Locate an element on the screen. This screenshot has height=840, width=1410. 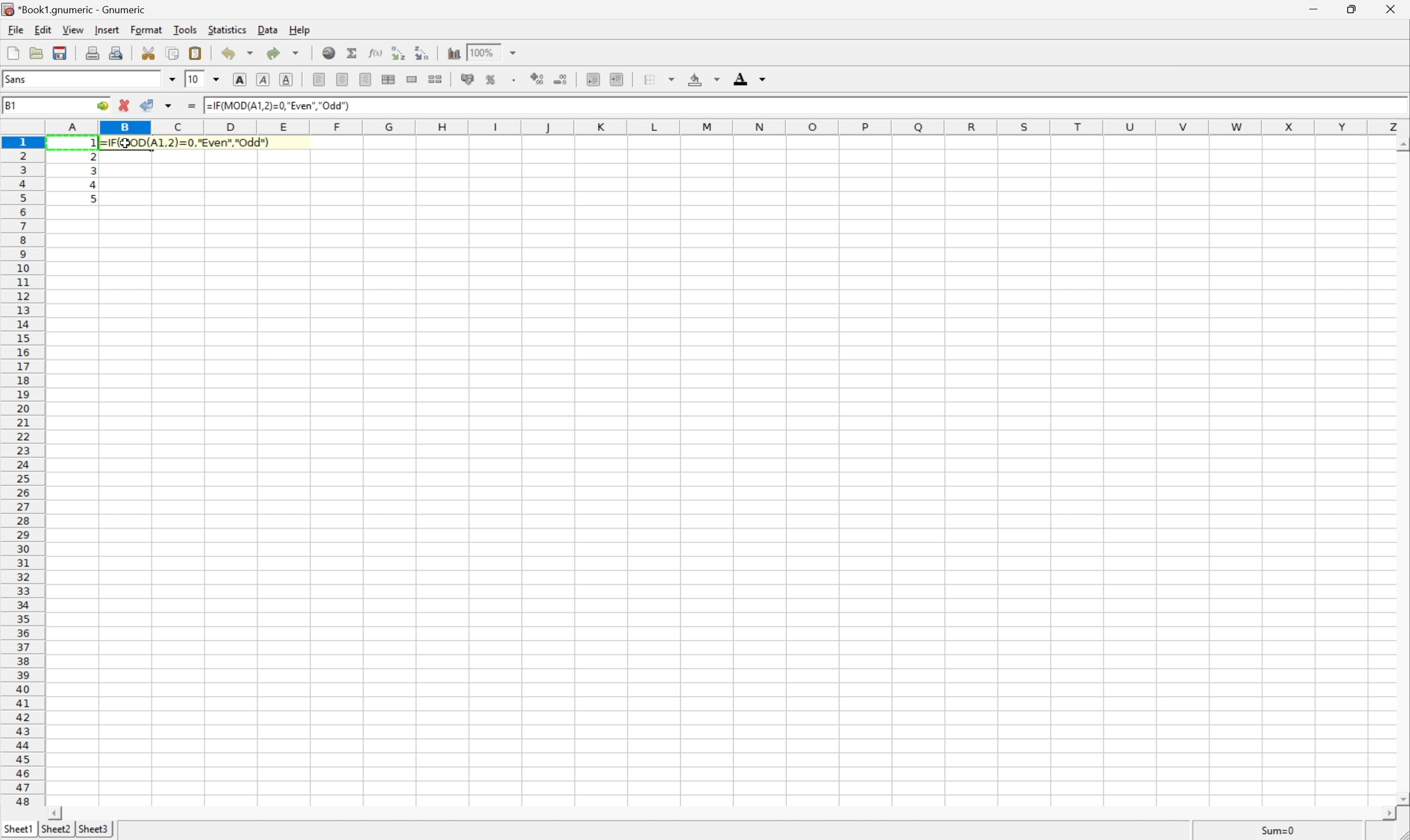
Borders is located at coordinates (657, 78).